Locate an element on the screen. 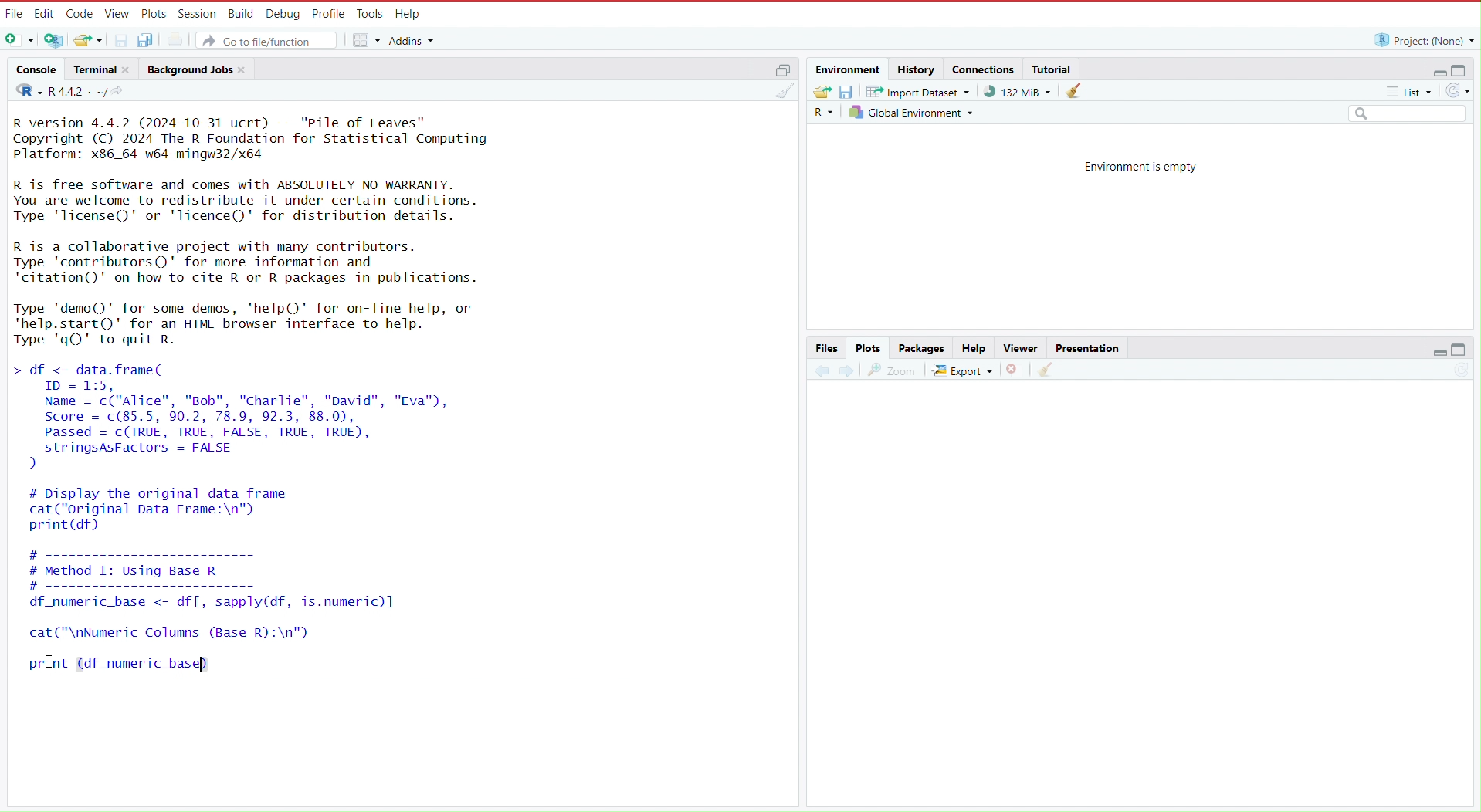 This screenshot has width=1481, height=812. print (df_numeric_base) is located at coordinates (138, 663).